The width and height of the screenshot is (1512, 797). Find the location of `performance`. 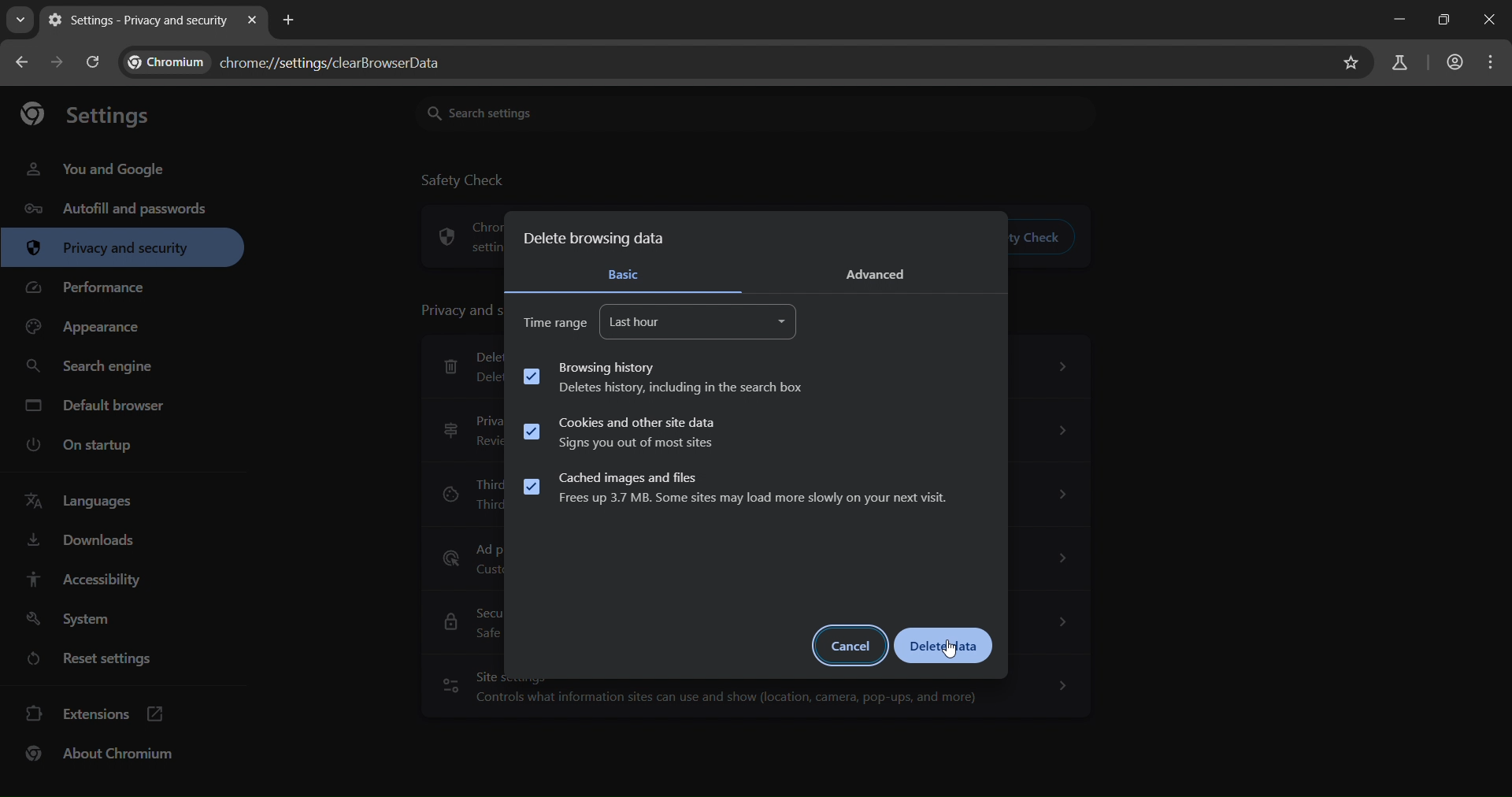

performance is located at coordinates (94, 288).